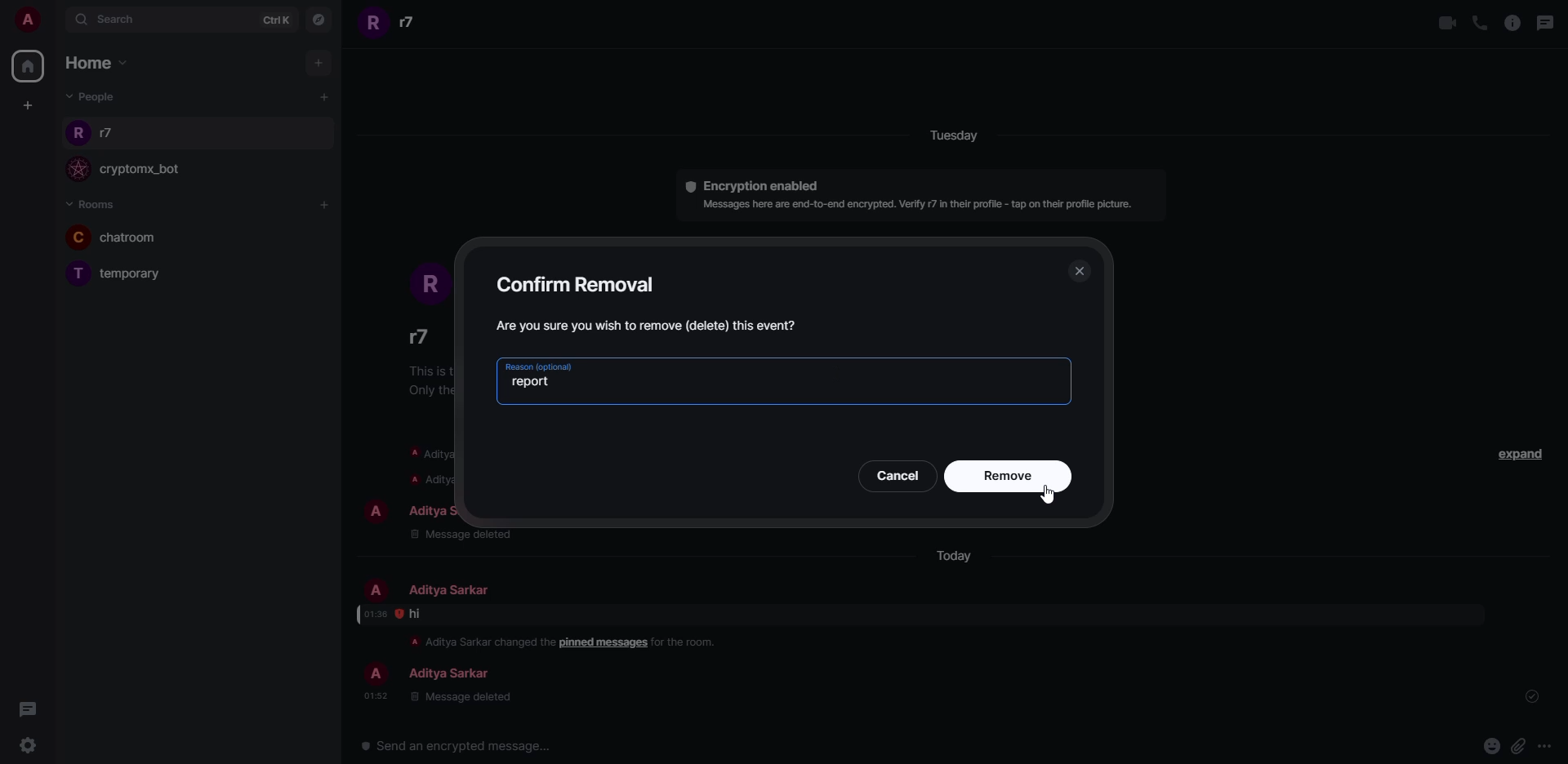 This screenshot has height=764, width=1568. Describe the element at coordinates (377, 590) in the screenshot. I see `profile` at that location.